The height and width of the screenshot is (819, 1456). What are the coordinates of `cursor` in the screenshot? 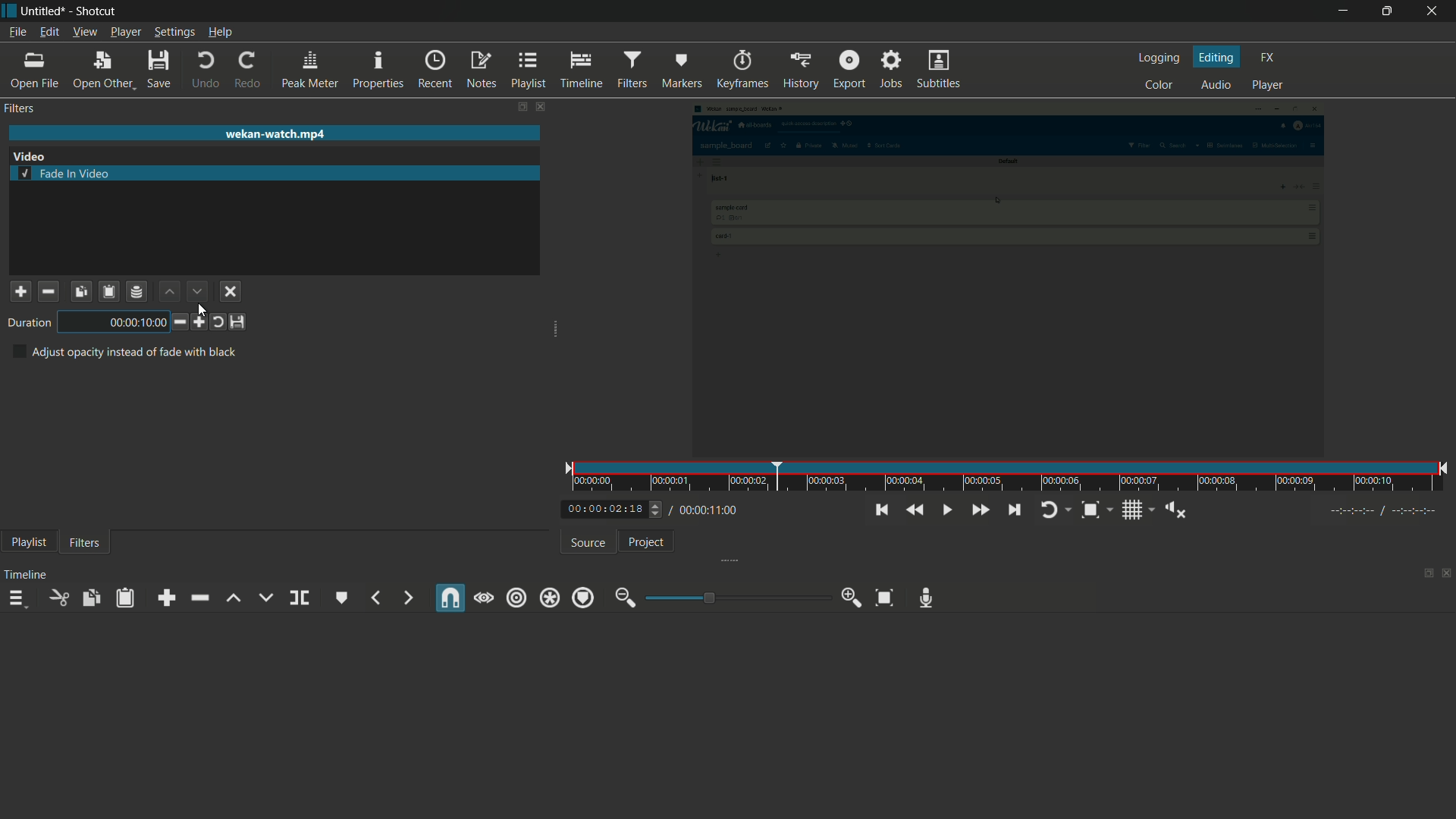 It's located at (202, 311).